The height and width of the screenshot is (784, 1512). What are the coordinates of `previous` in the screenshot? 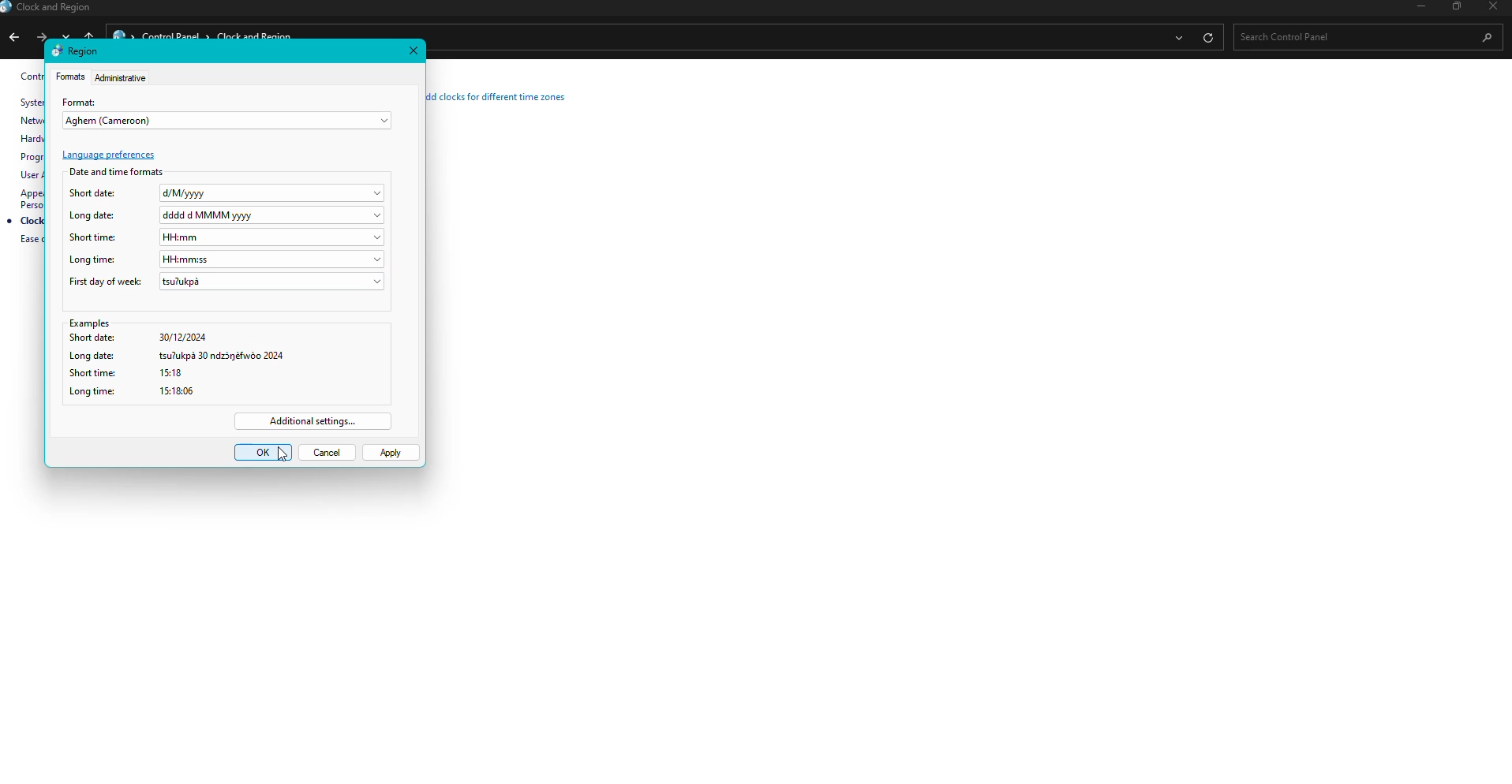 It's located at (13, 39).